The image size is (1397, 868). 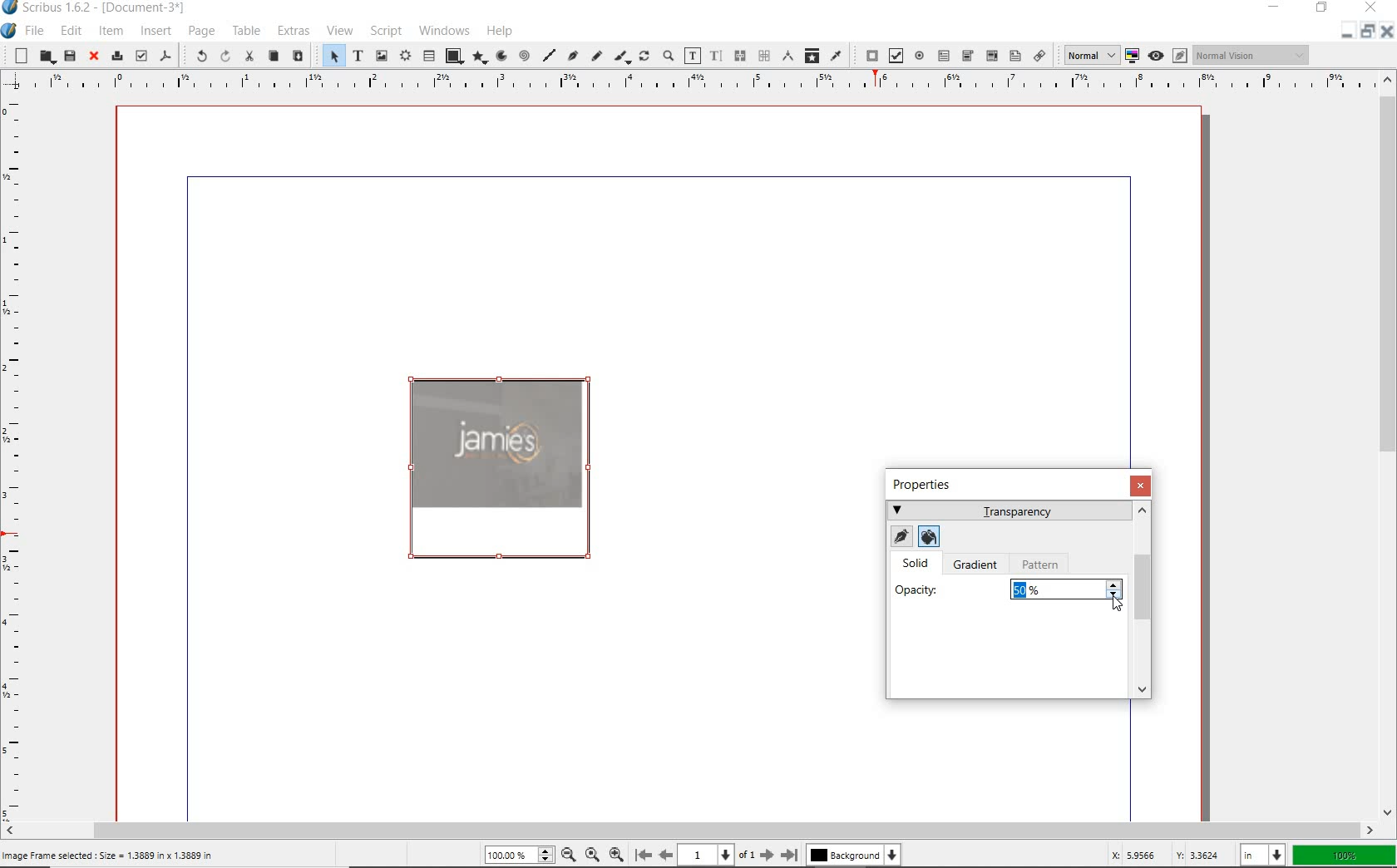 I want to click on coordinates, so click(x=1155, y=856).